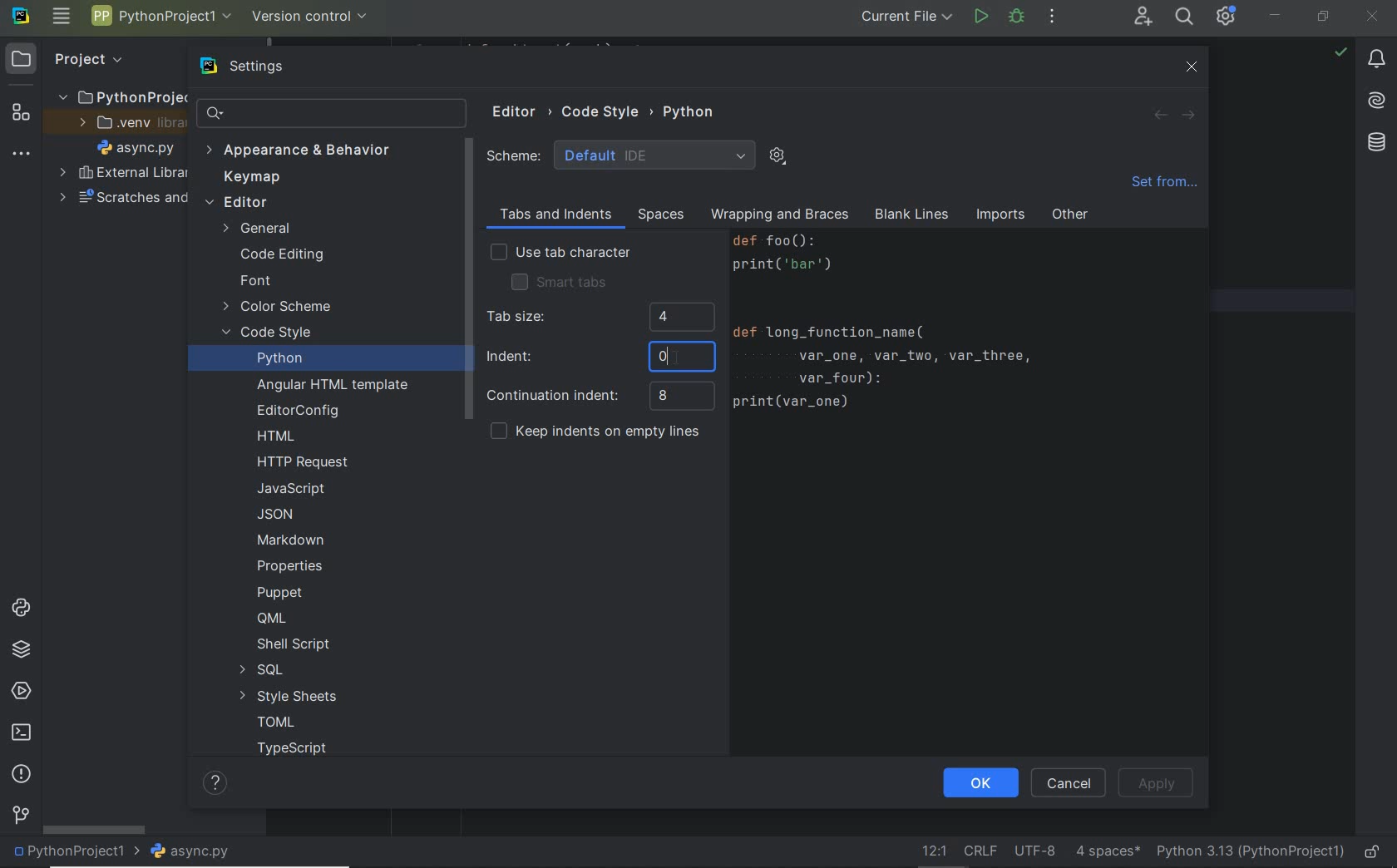 This screenshot has width=1397, height=868. Describe the element at coordinates (274, 723) in the screenshot. I see `TOML` at that location.